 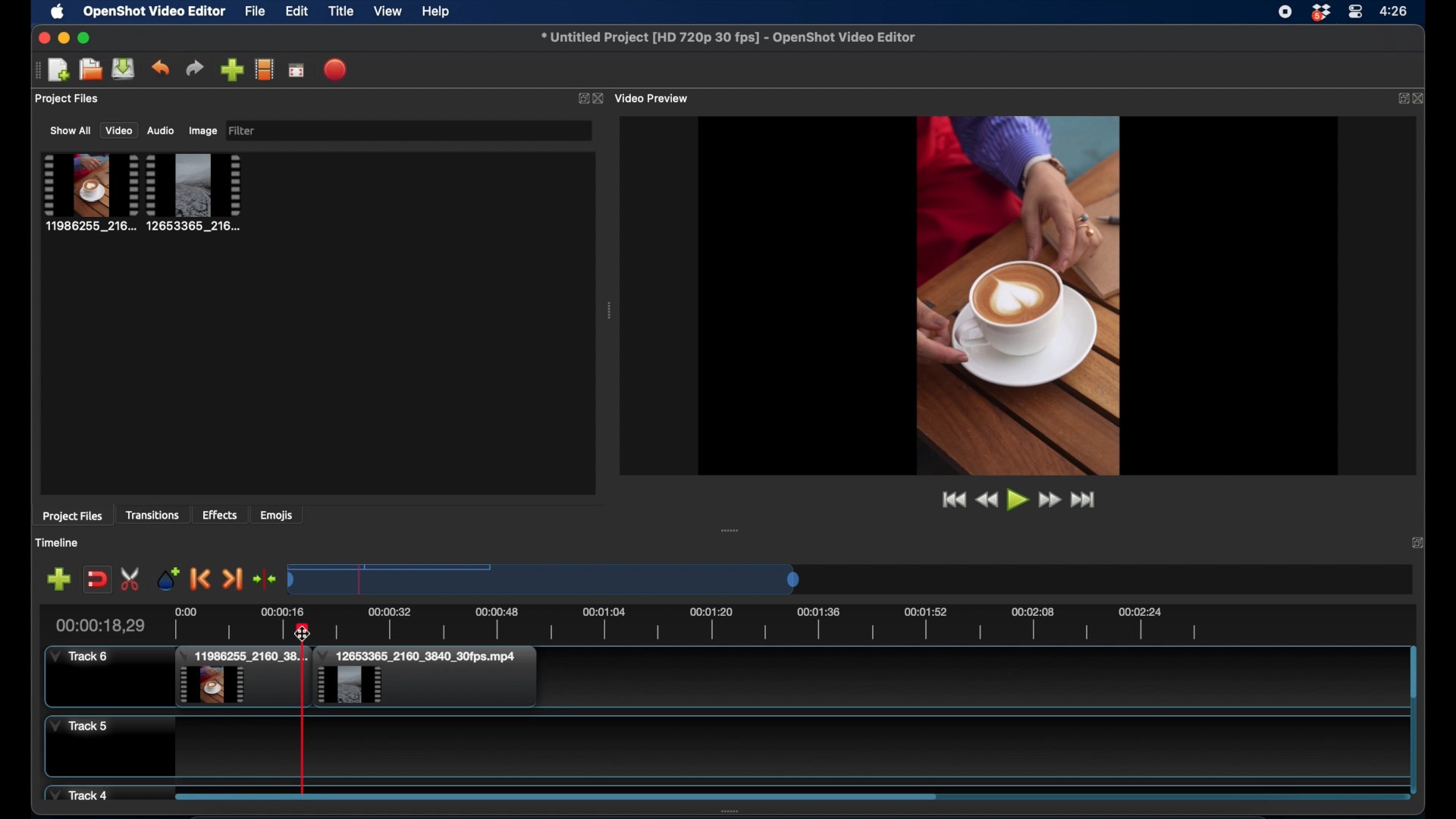 I want to click on project files, so click(x=67, y=99).